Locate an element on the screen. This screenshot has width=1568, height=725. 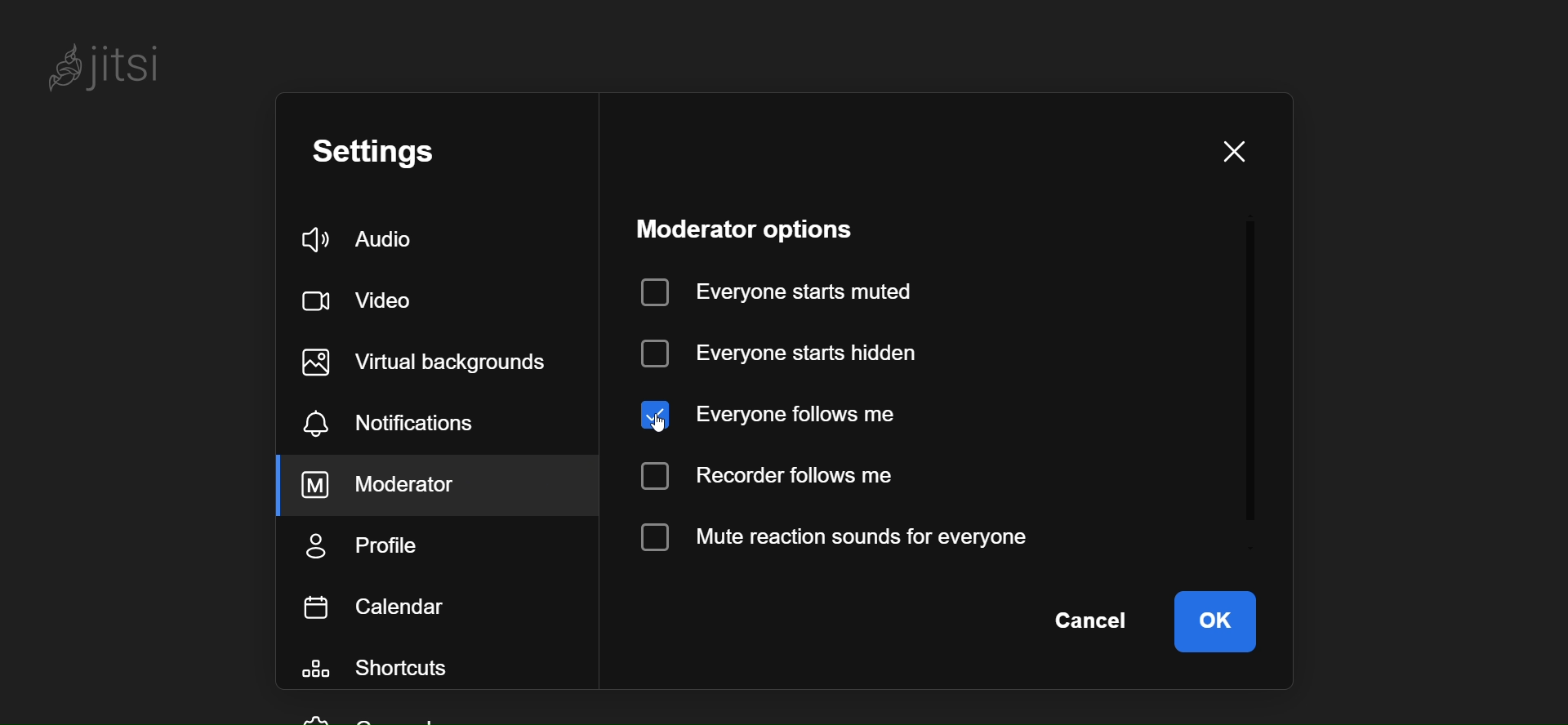
ok is located at coordinates (1214, 620).